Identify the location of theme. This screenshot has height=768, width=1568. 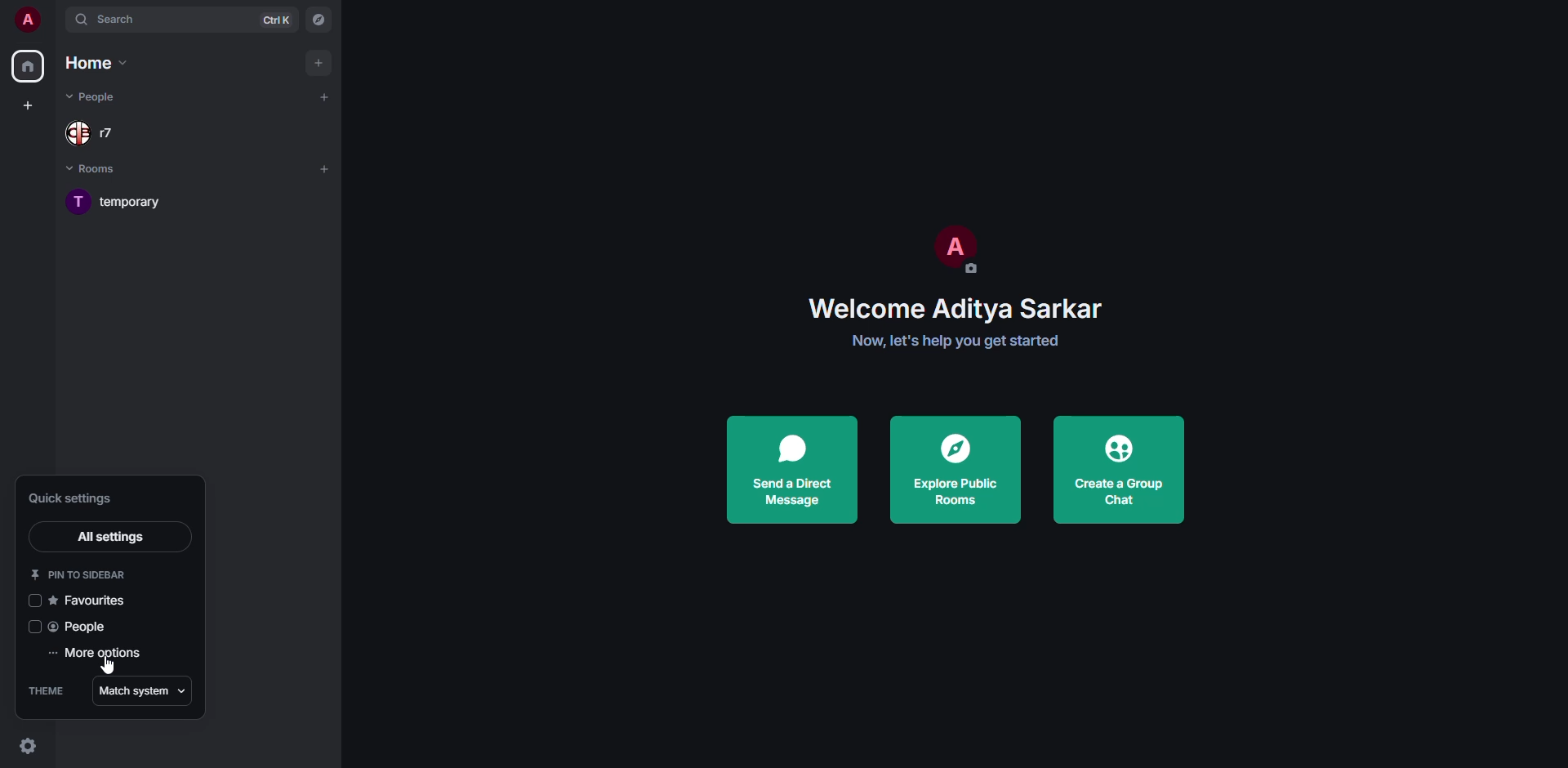
(45, 690).